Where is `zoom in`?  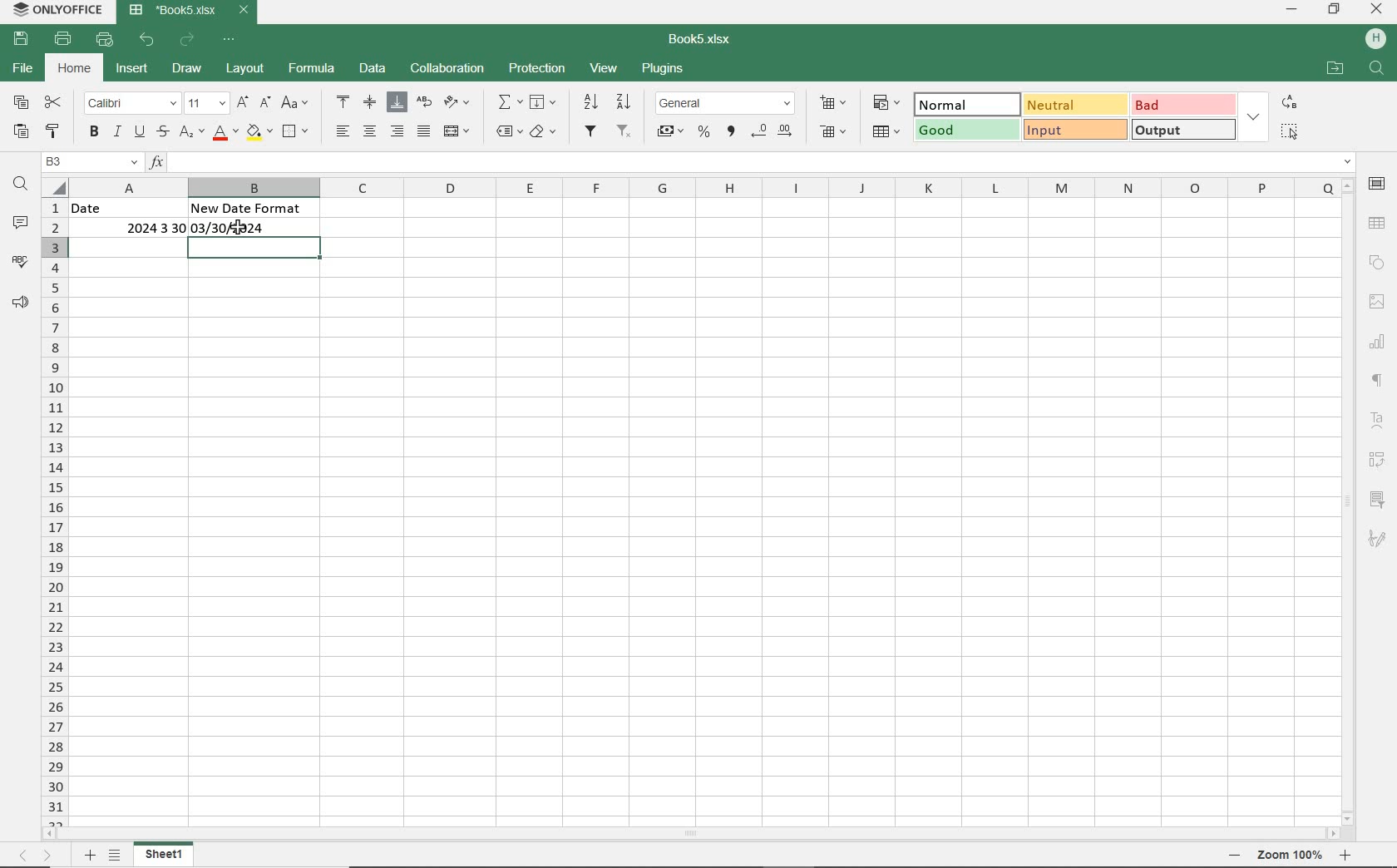
zoom in is located at coordinates (1344, 856).